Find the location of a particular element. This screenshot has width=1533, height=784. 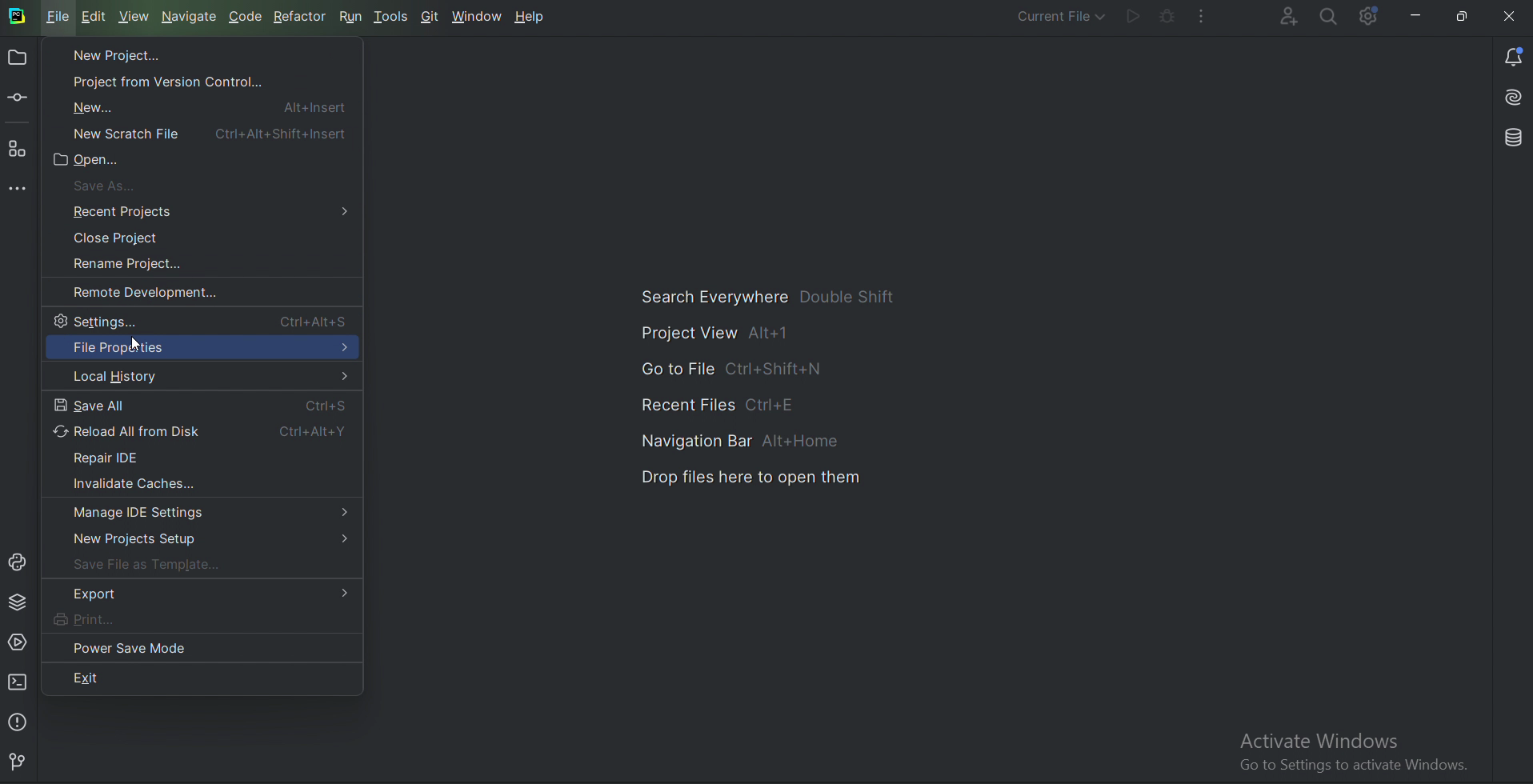

More tool windows is located at coordinates (22, 190).